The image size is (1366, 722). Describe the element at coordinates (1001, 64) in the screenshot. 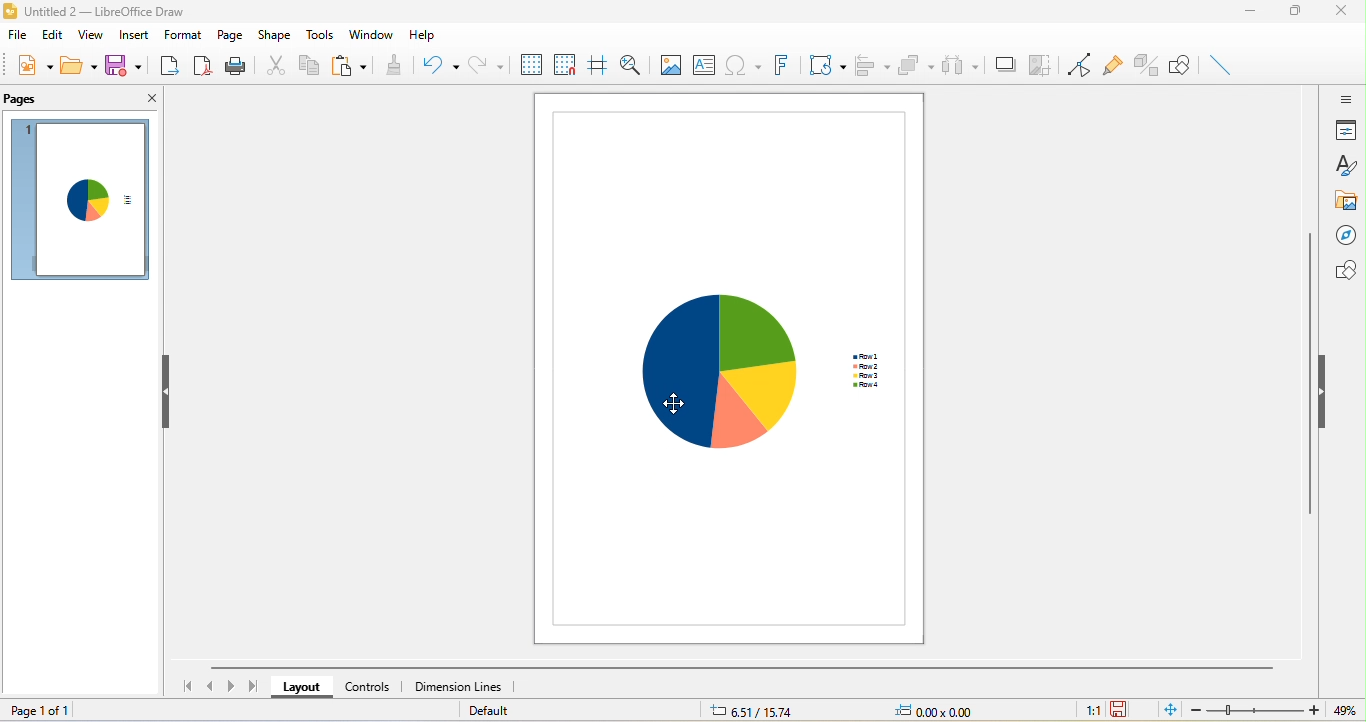

I see `shadow` at that location.